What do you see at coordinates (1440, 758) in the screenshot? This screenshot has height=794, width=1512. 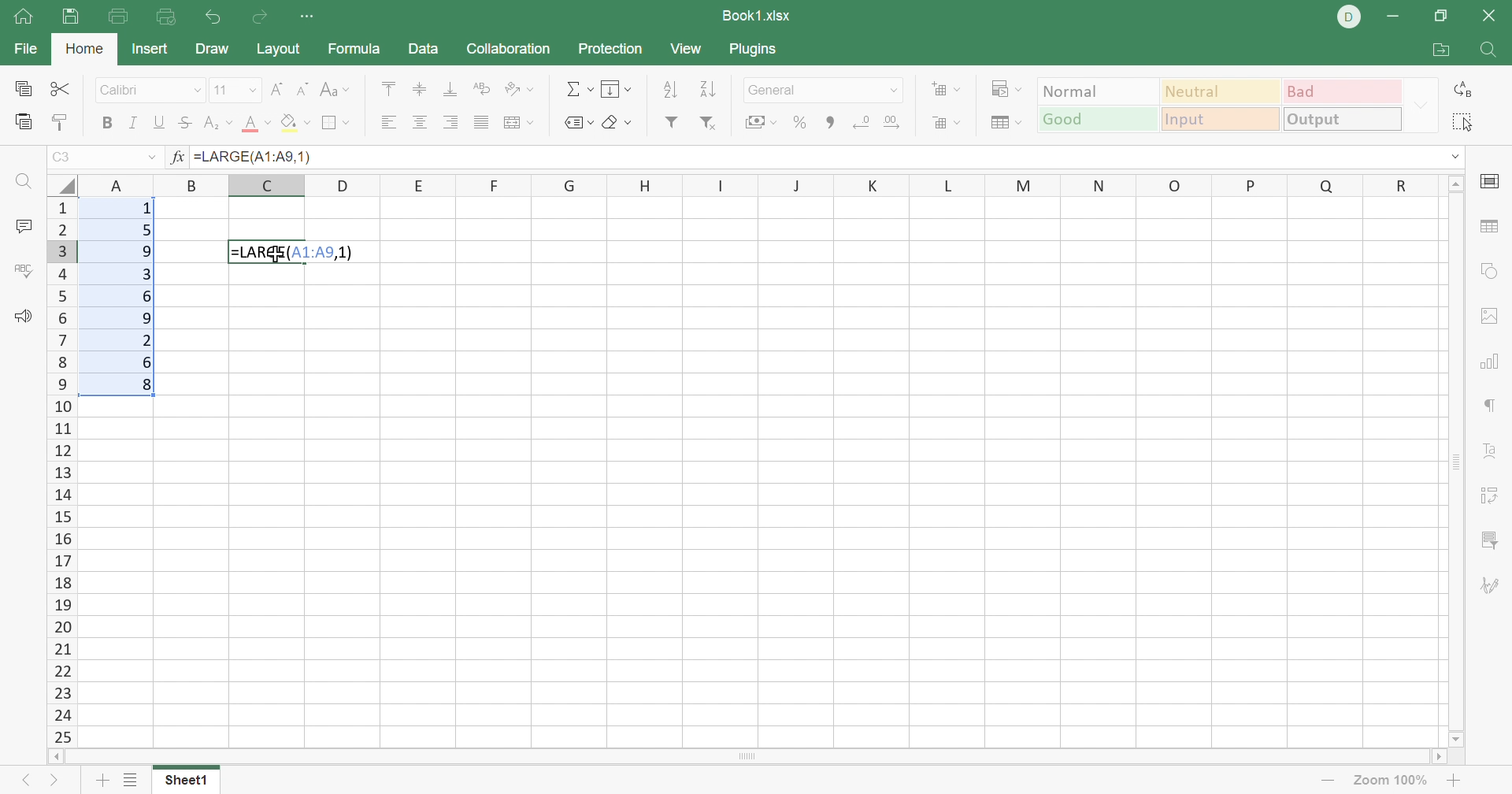 I see `Scroll Right` at bounding box center [1440, 758].